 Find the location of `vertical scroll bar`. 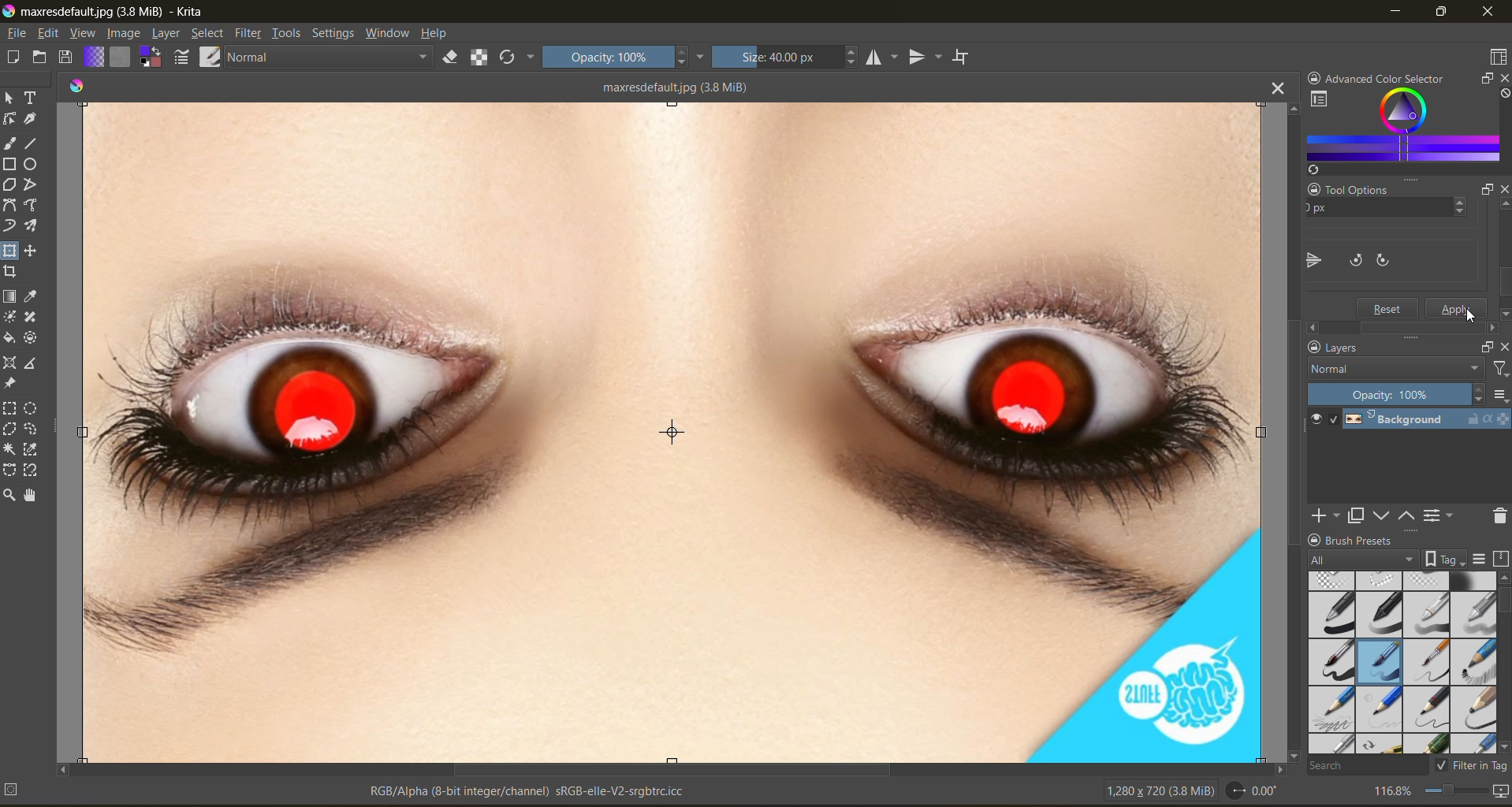

vertical scroll bar is located at coordinates (1291, 431).